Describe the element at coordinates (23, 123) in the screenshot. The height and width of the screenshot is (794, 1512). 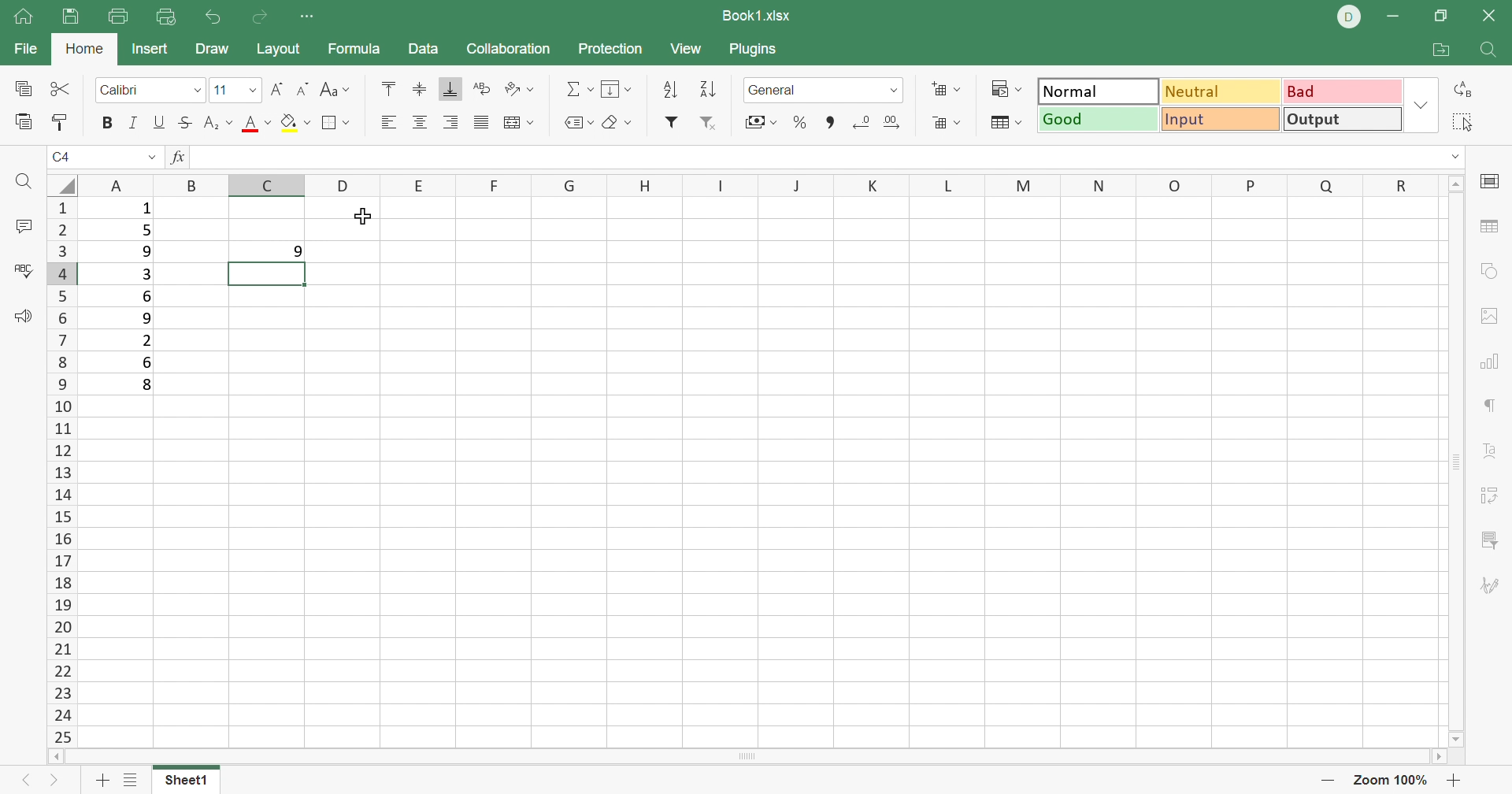
I see `Paste` at that location.